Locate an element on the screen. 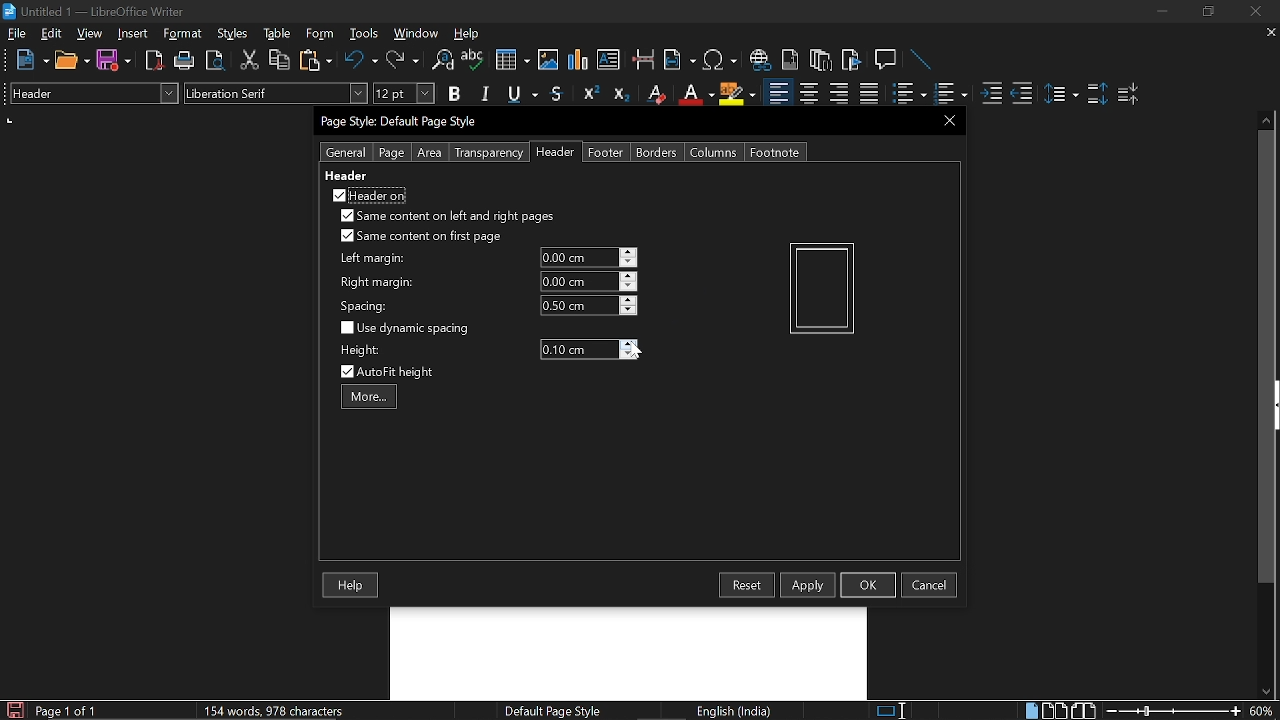 The width and height of the screenshot is (1280, 720). line margin Line margin is located at coordinates (577, 258).